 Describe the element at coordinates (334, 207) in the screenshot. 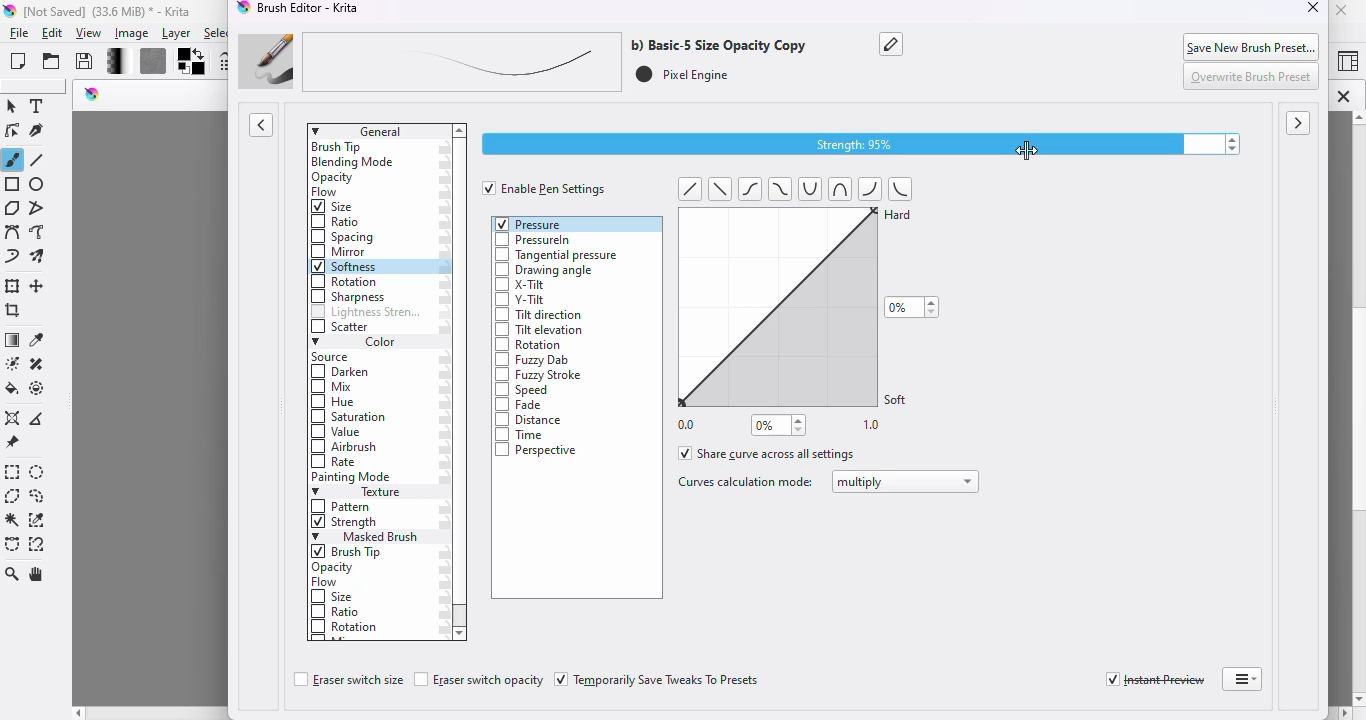

I see `size` at that location.